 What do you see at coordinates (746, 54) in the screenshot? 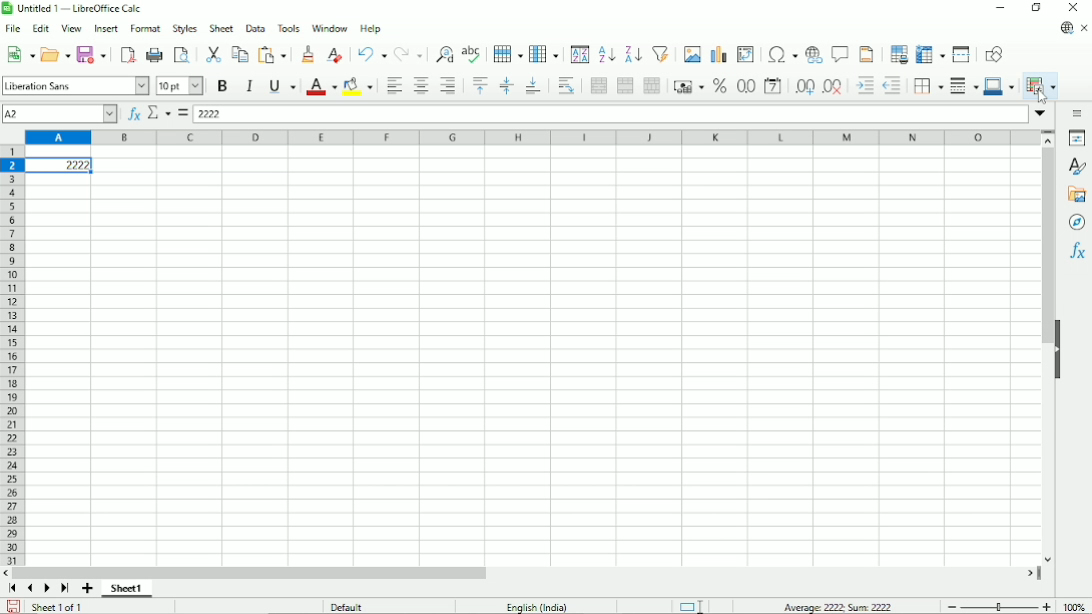
I see `Insert or edit pivot table` at bounding box center [746, 54].